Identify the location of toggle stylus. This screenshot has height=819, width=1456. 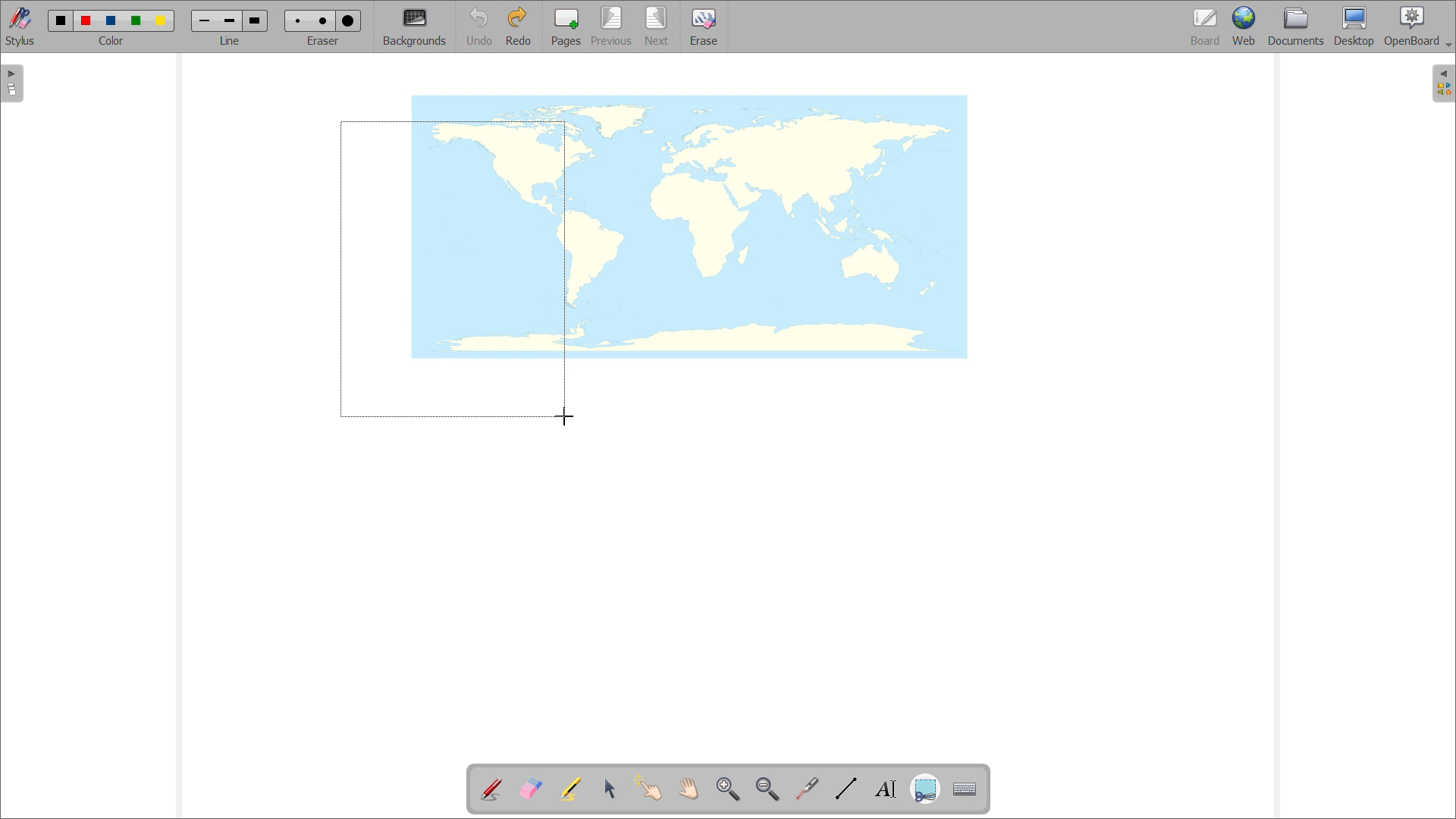
(22, 27).